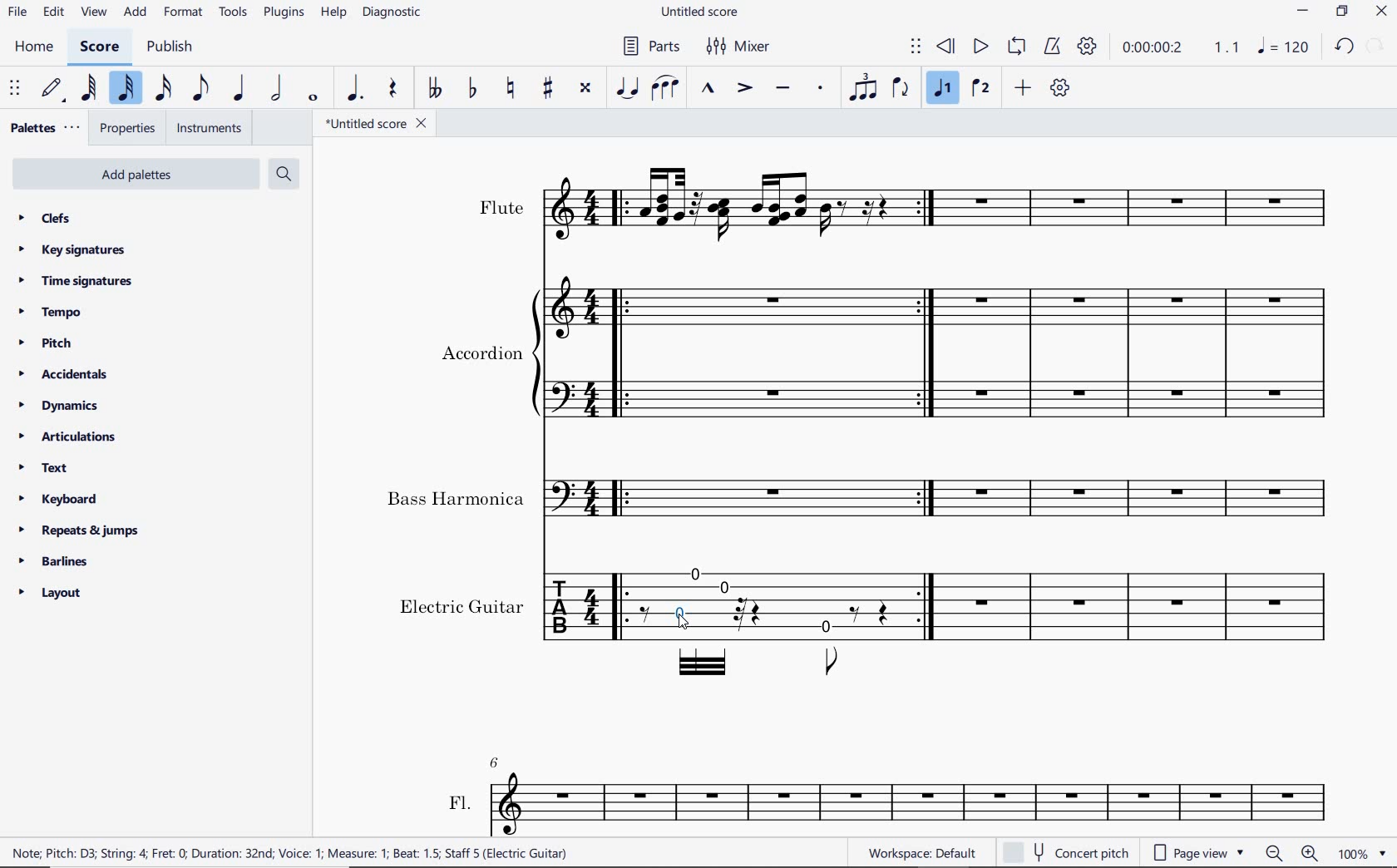  I want to click on clefs, so click(45, 218).